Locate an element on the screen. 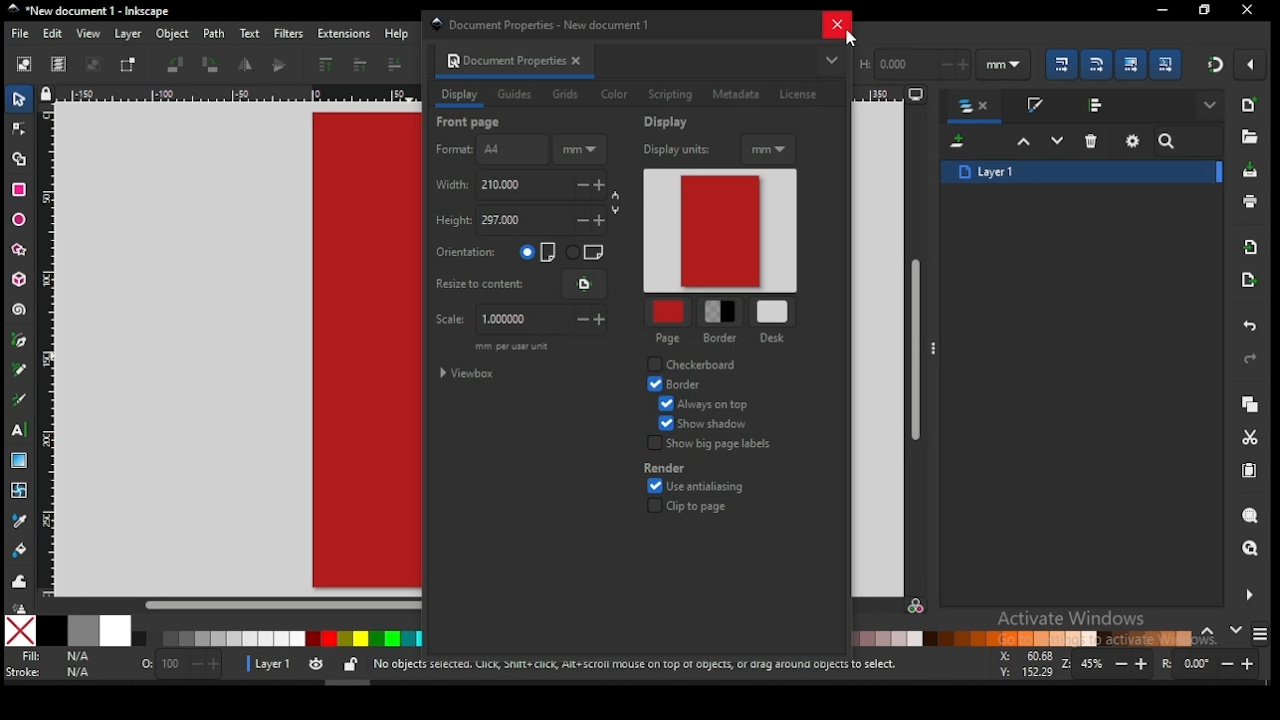 The height and width of the screenshot is (720, 1280). zoom object is located at coordinates (1250, 516).